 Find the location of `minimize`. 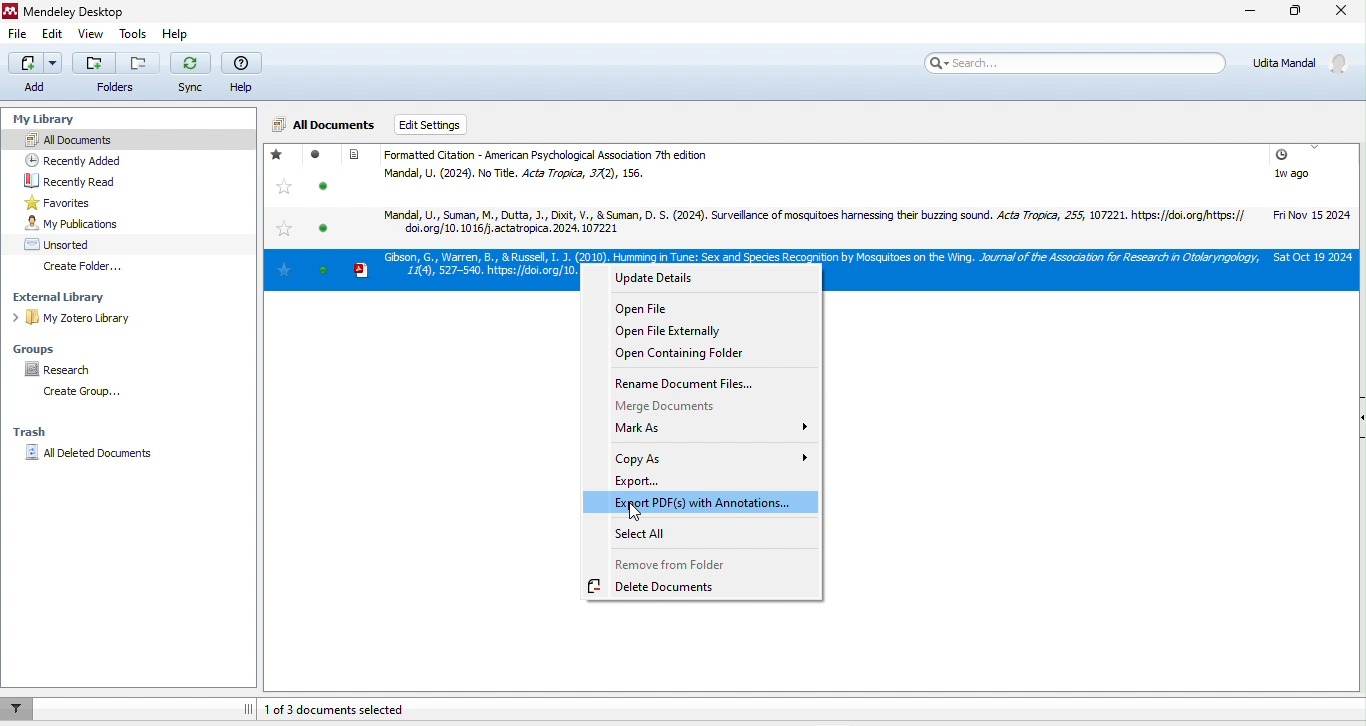

minimize is located at coordinates (1249, 13).